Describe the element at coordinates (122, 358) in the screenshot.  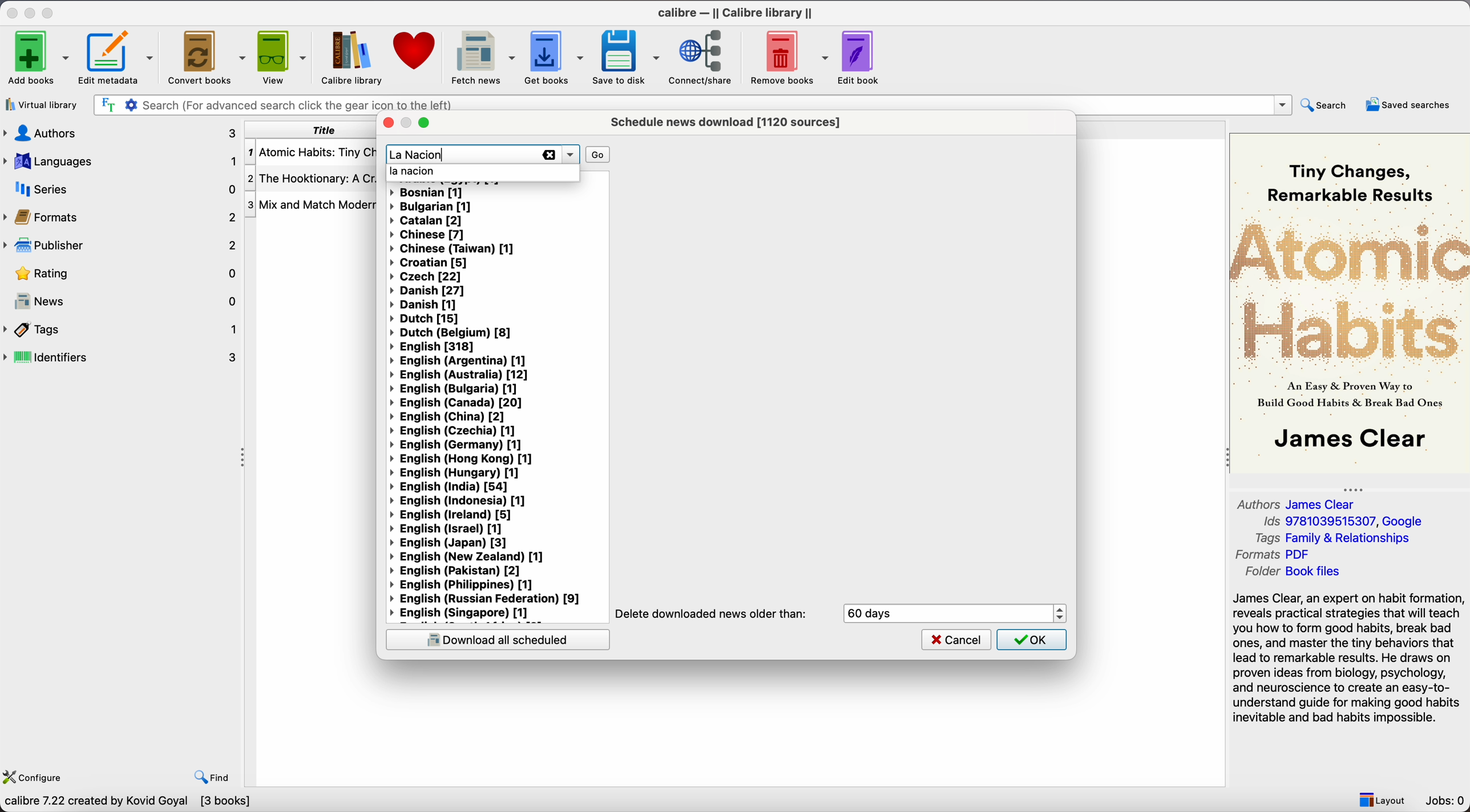
I see `identifiers` at that location.